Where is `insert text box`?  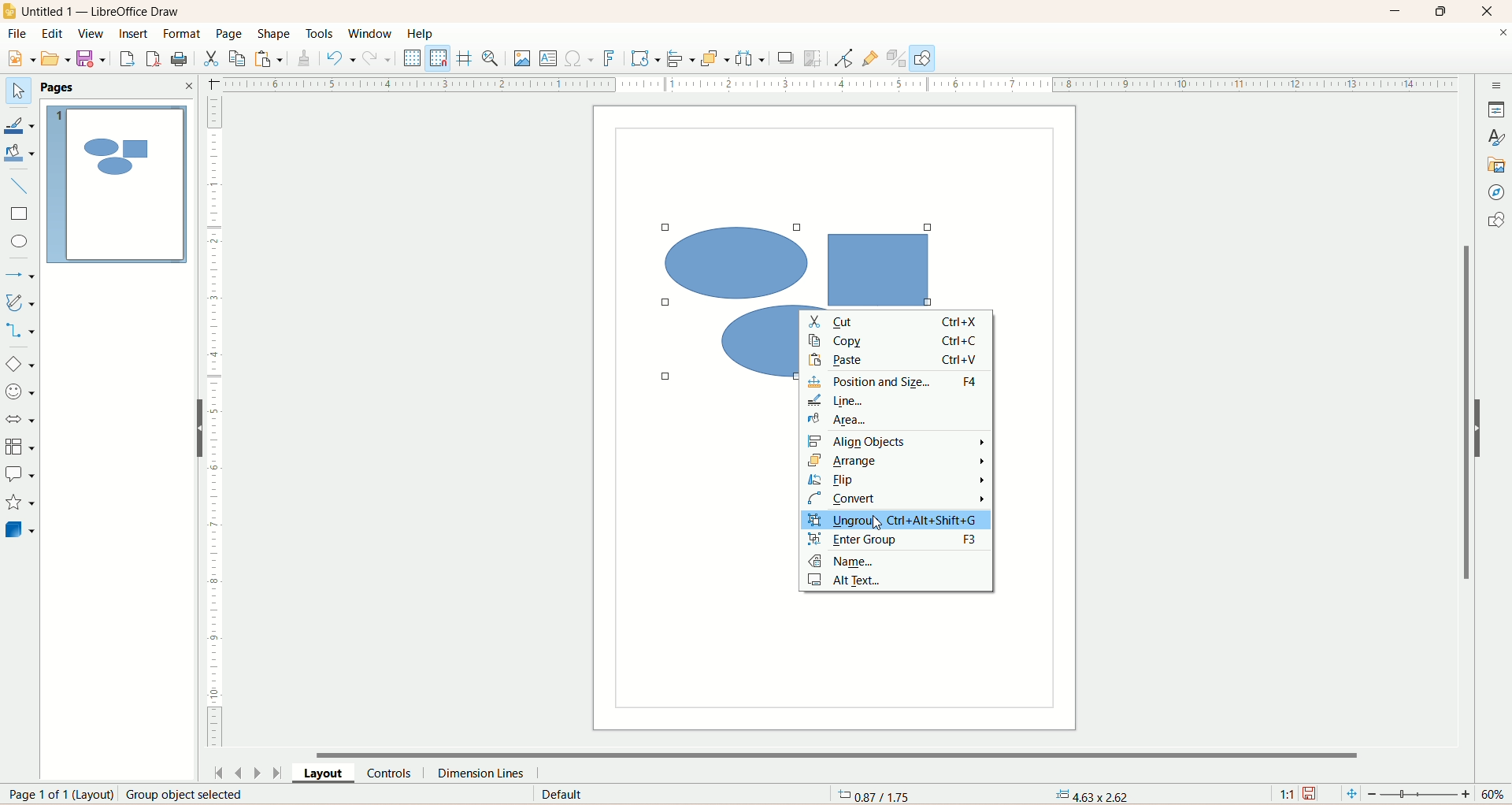 insert text box is located at coordinates (550, 60).